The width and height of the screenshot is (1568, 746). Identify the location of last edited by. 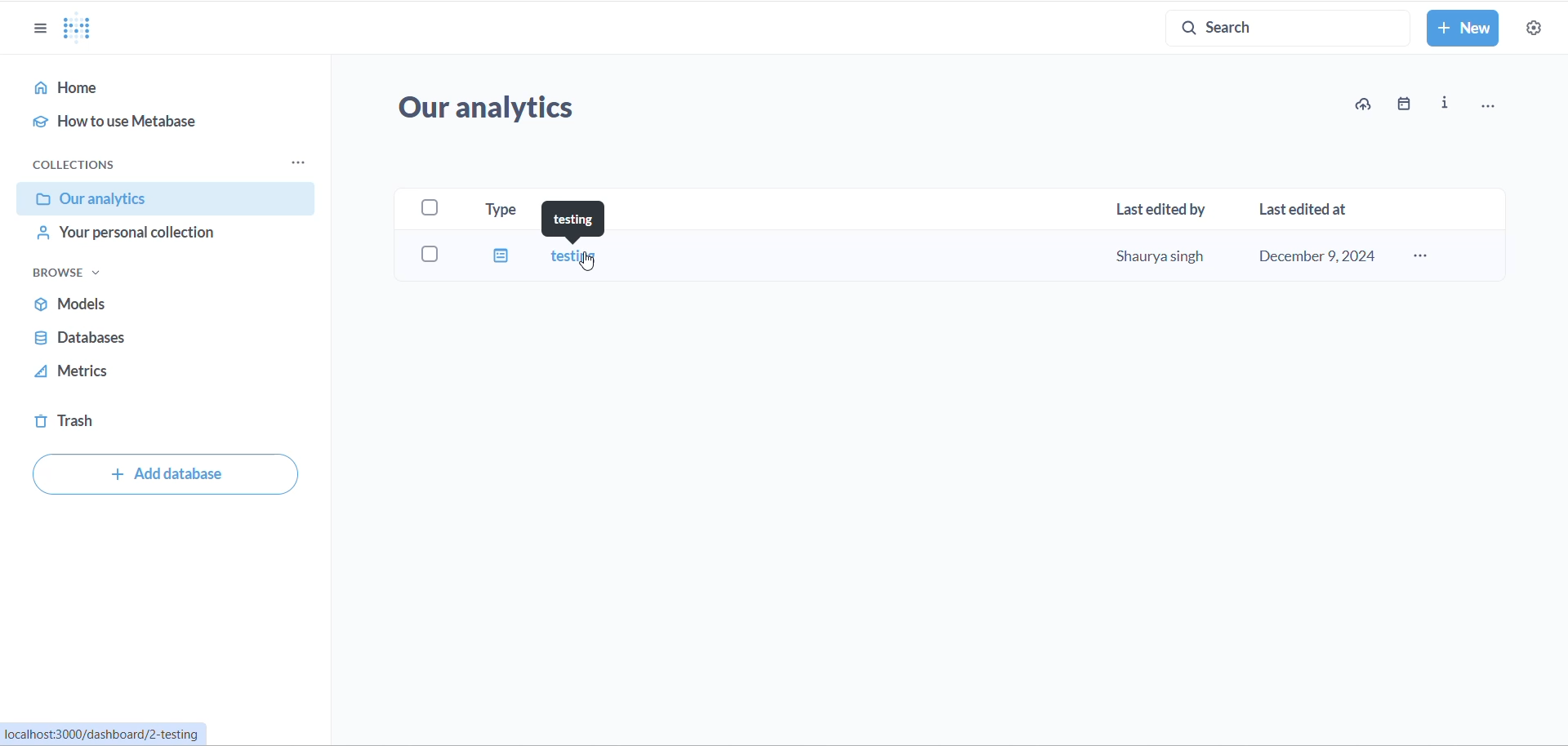
(1159, 206).